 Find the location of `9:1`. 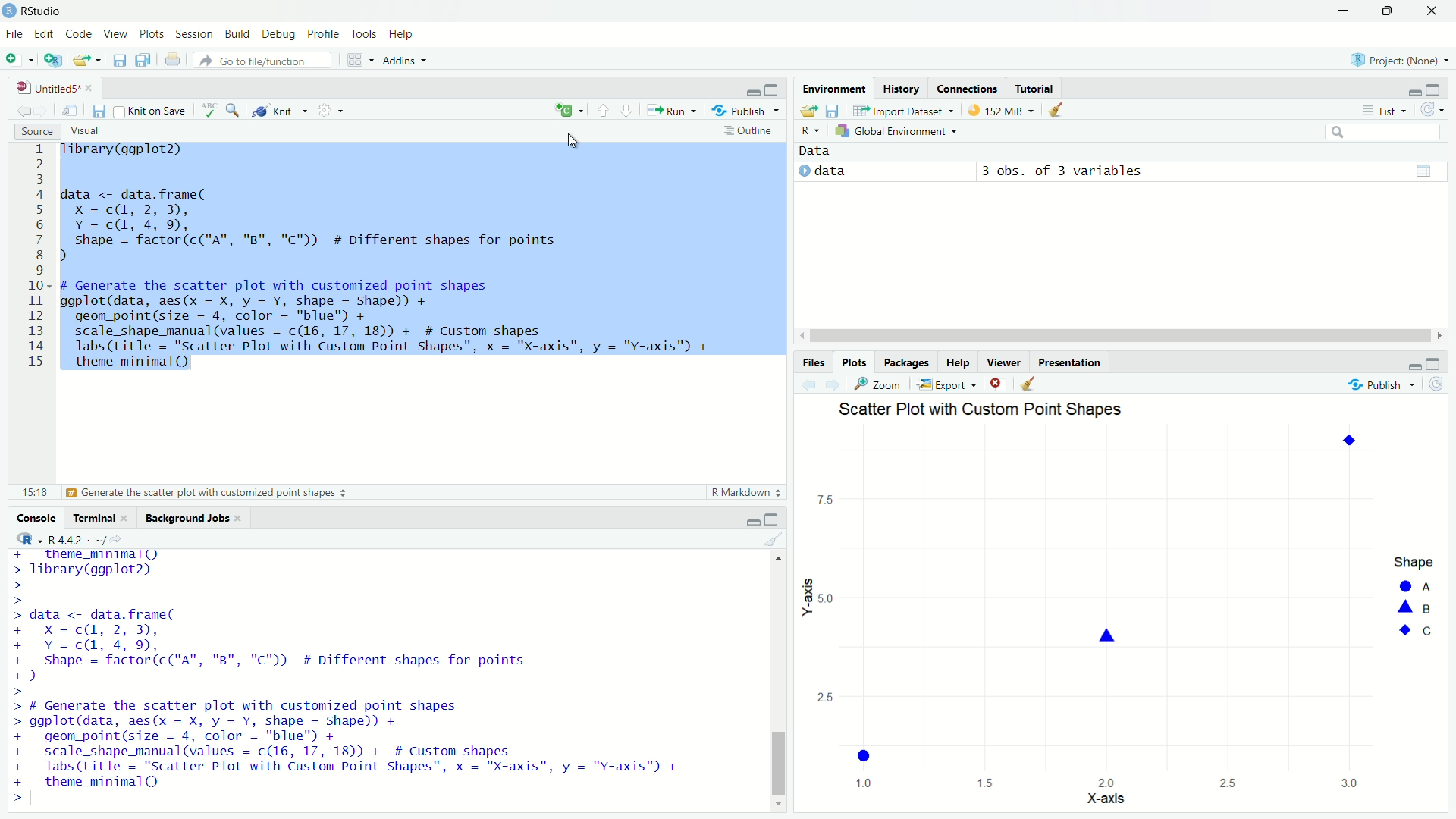

9:1 is located at coordinates (33, 492).